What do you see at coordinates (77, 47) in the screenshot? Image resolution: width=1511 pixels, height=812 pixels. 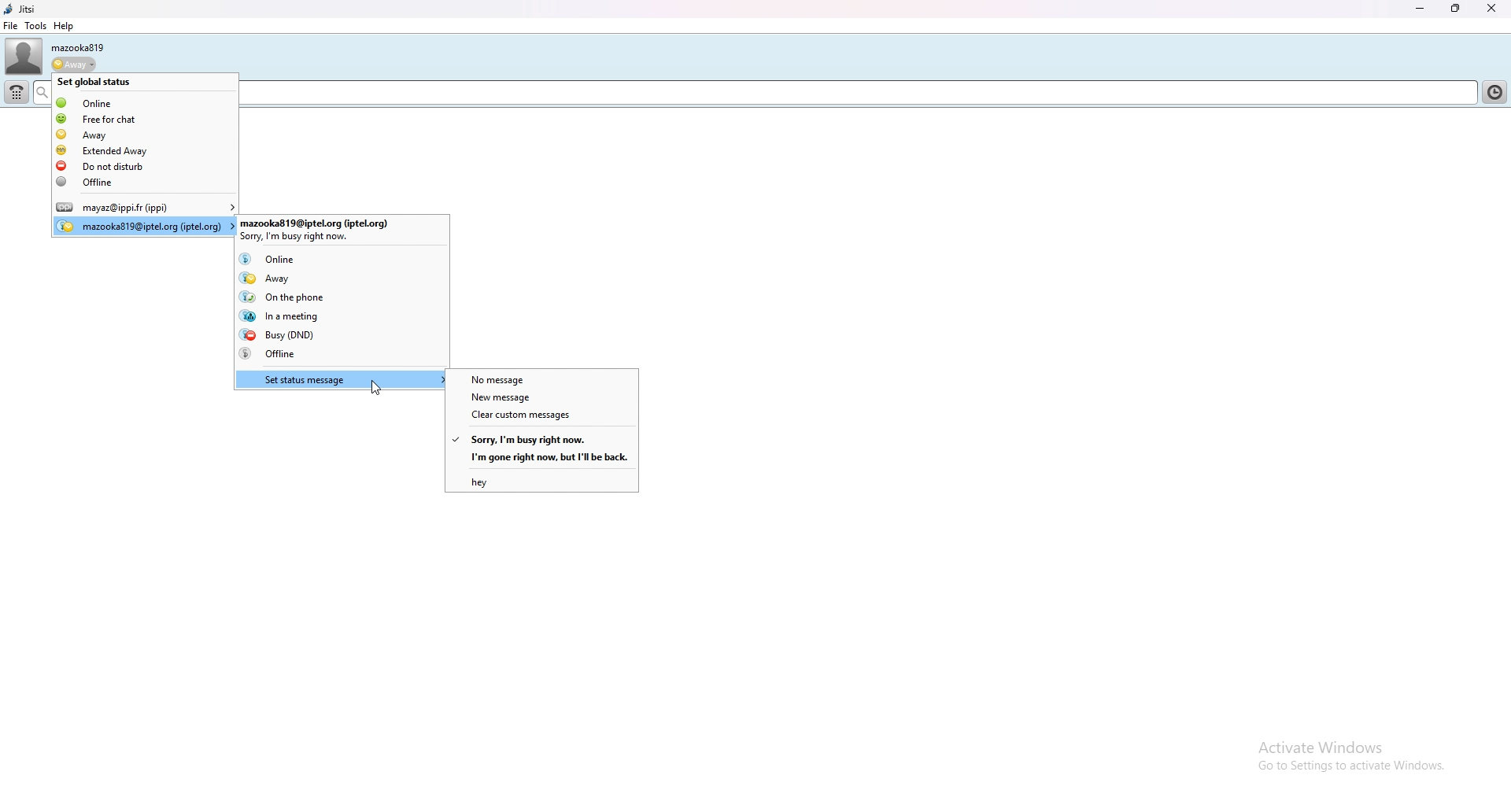 I see `username` at bounding box center [77, 47].